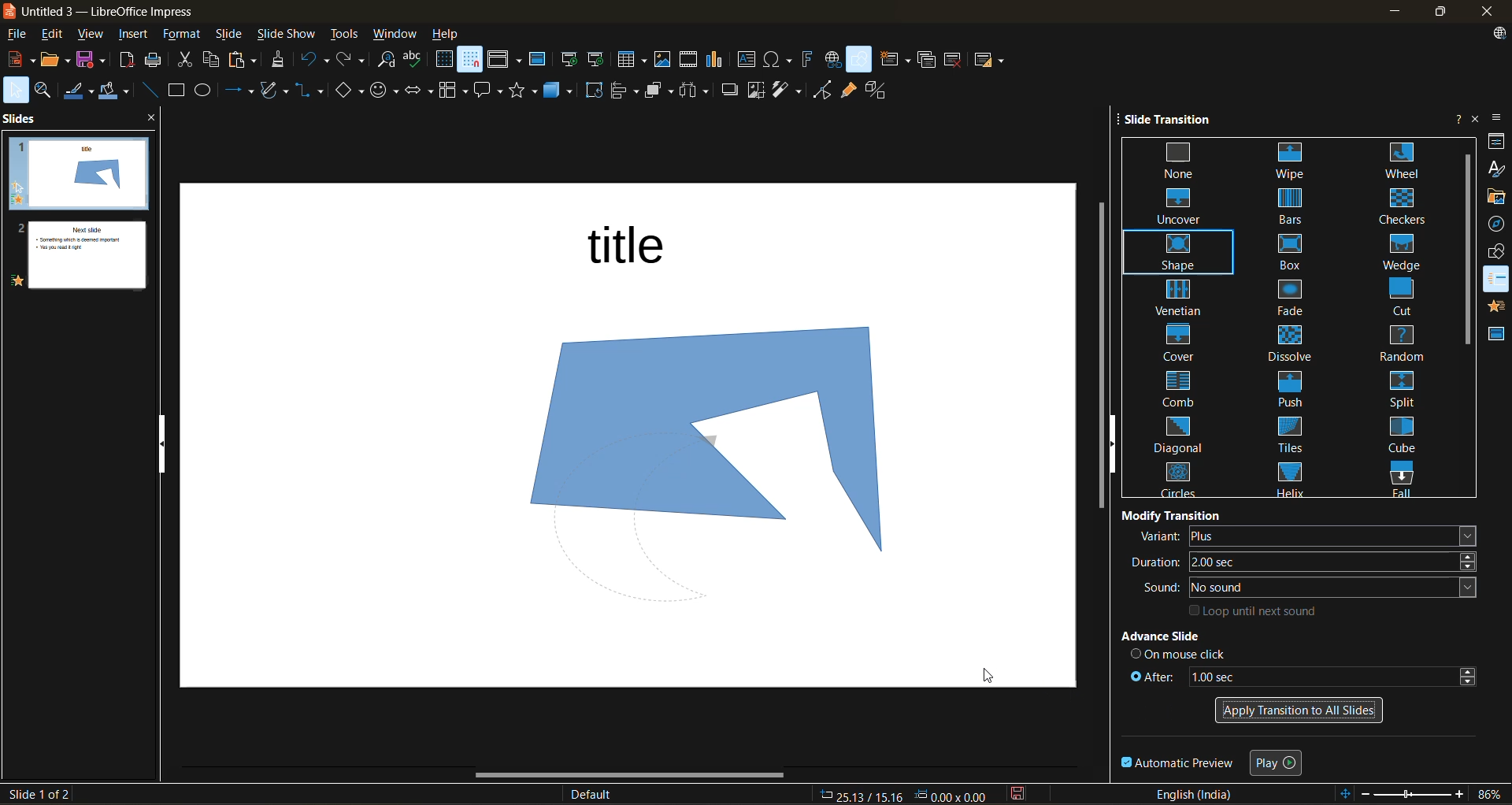 The width and height of the screenshot is (1512, 805). What do you see at coordinates (1496, 309) in the screenshot?
I see `animation` at bounding box center [1496, 309].